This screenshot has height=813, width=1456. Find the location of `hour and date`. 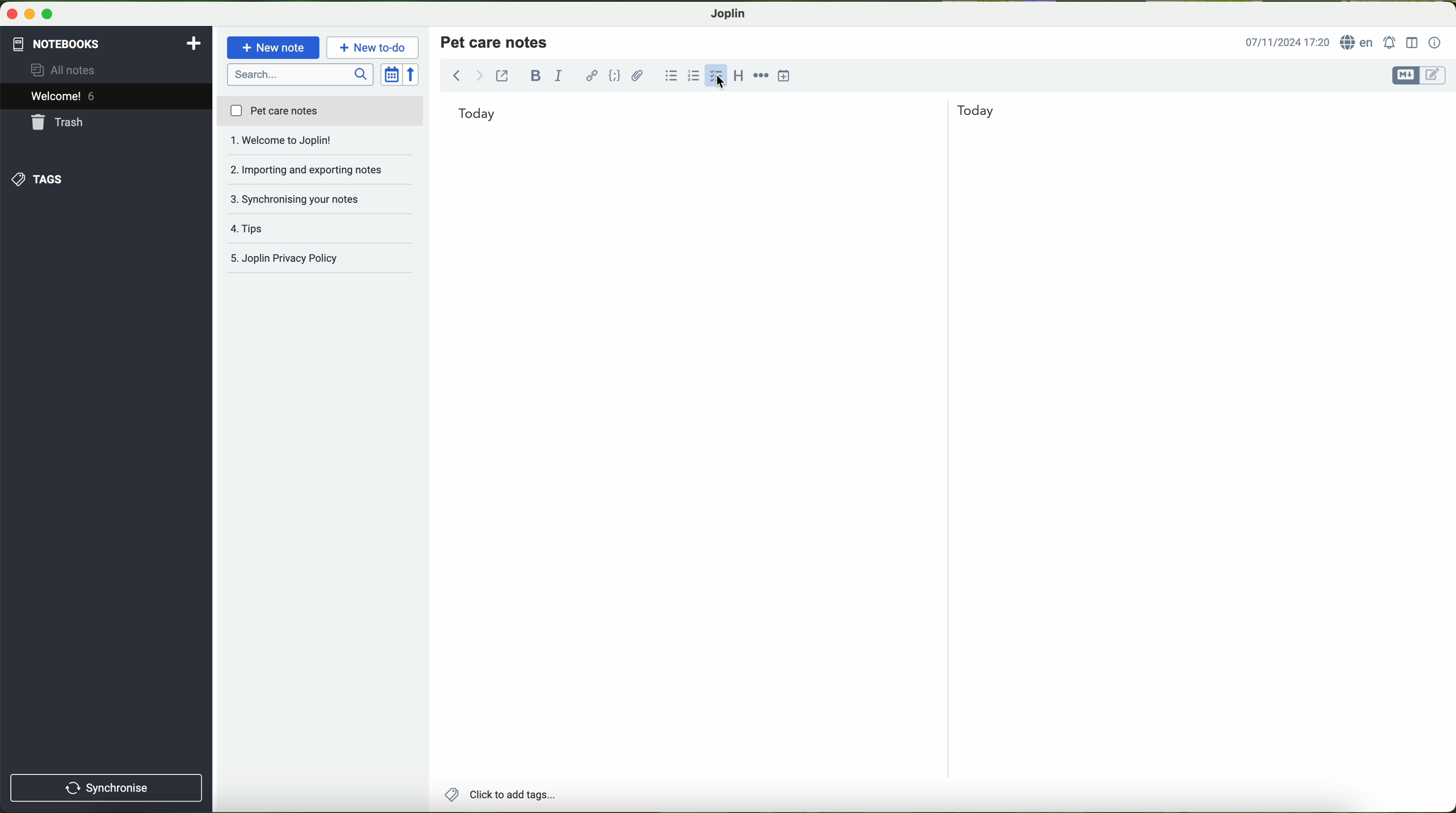

hour and date is located at coordinates (1286, 43).